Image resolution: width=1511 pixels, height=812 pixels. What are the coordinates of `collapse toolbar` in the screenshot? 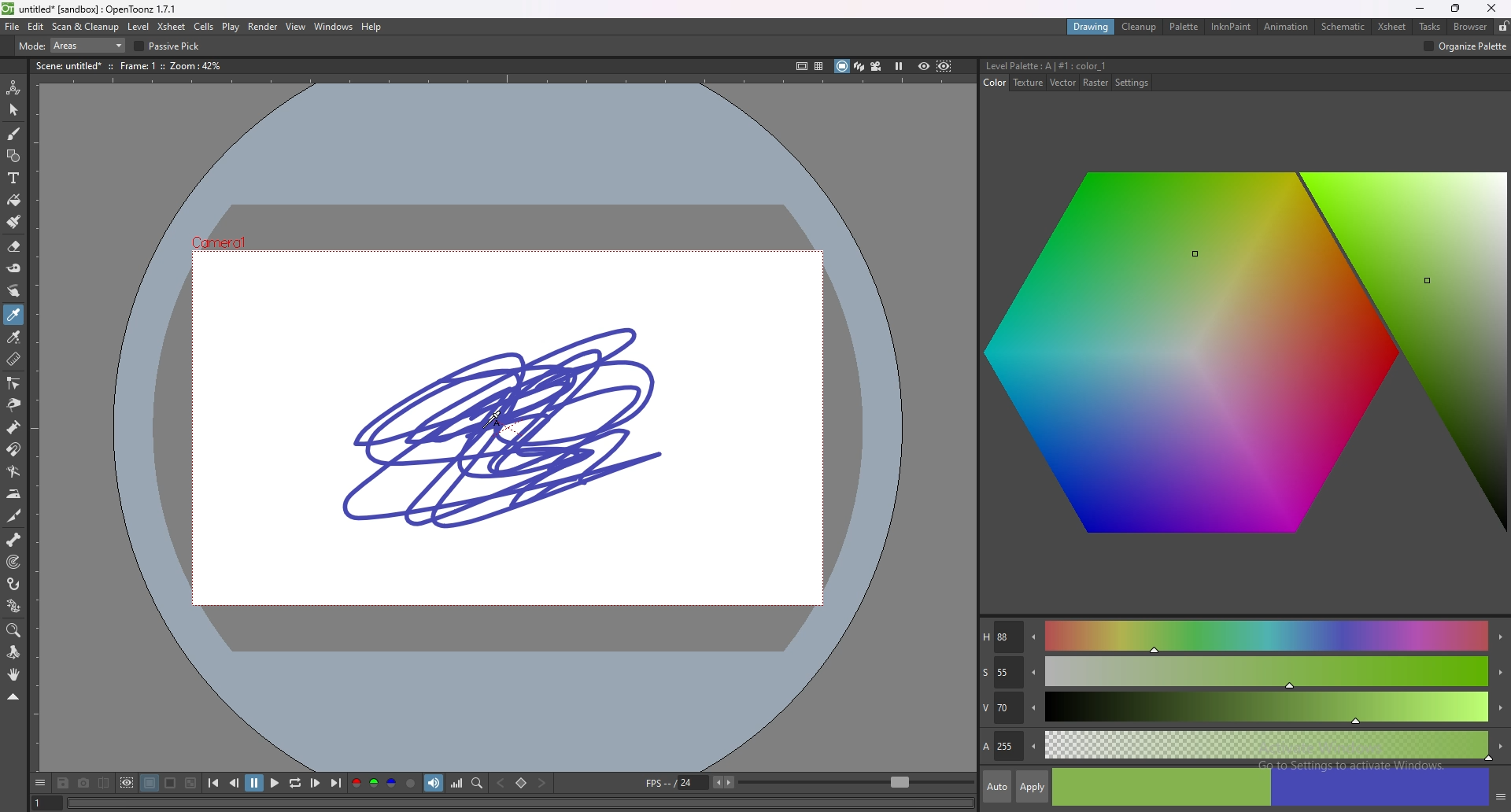 It's located at (13, 696).